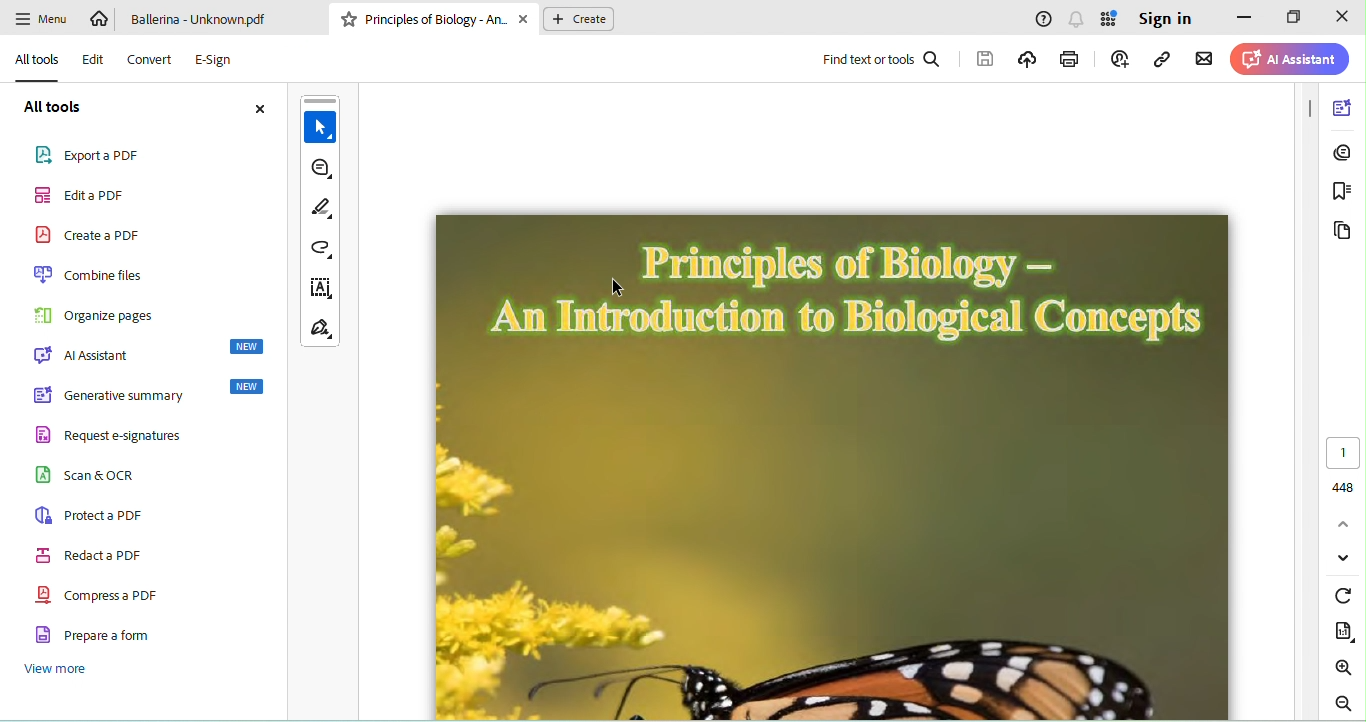 The width and height of the screenshot is (1366, 722). What do you see at coordinates (1306, 104) in the screenshot?
I see `vertical scroll bar` at bounding box center [1306, 104].